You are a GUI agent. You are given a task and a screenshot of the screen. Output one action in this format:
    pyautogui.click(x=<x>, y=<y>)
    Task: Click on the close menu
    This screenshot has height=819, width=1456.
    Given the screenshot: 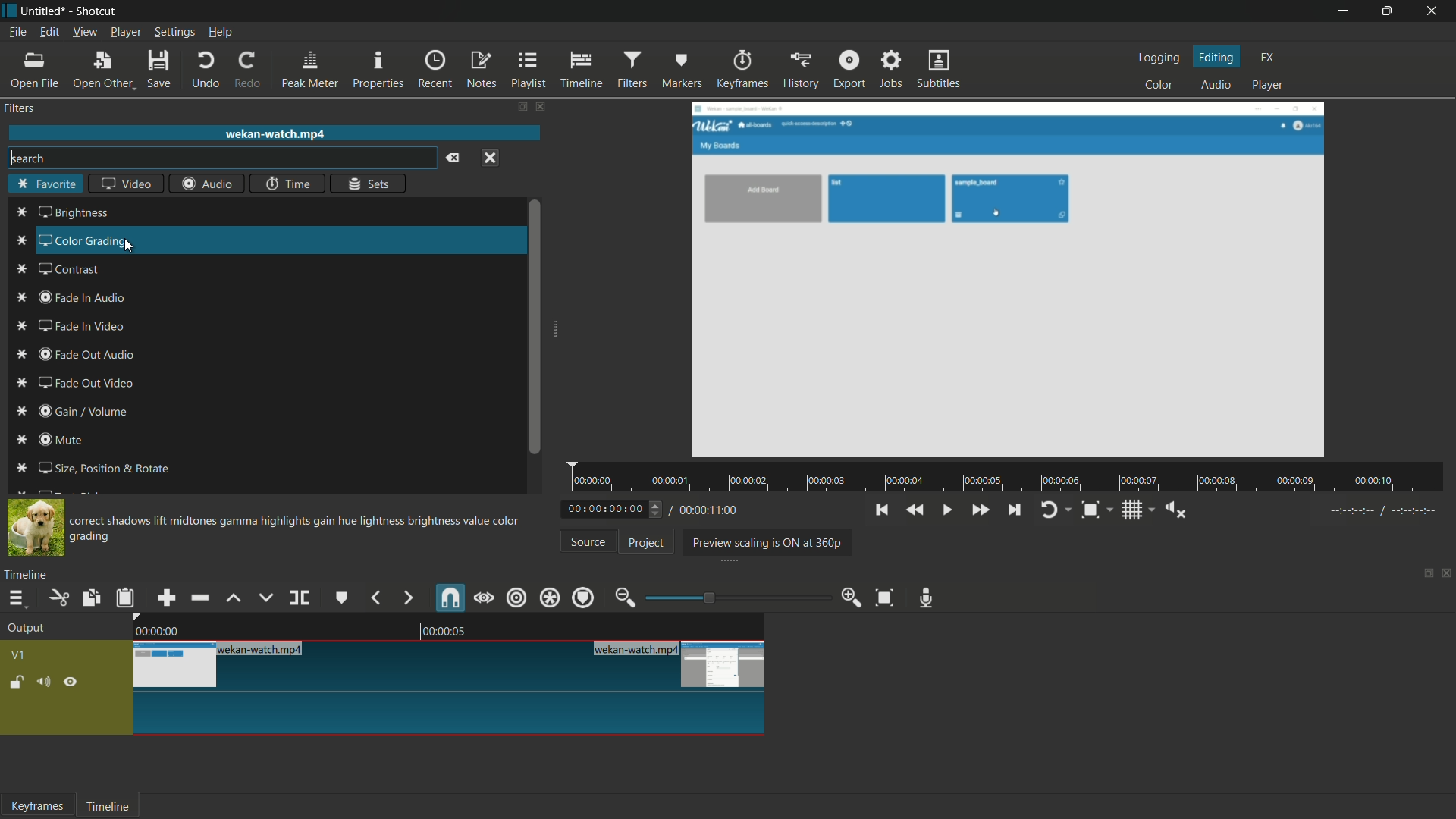 What is the action you would take?
    pyautogui.click(x=491, y=158)
    